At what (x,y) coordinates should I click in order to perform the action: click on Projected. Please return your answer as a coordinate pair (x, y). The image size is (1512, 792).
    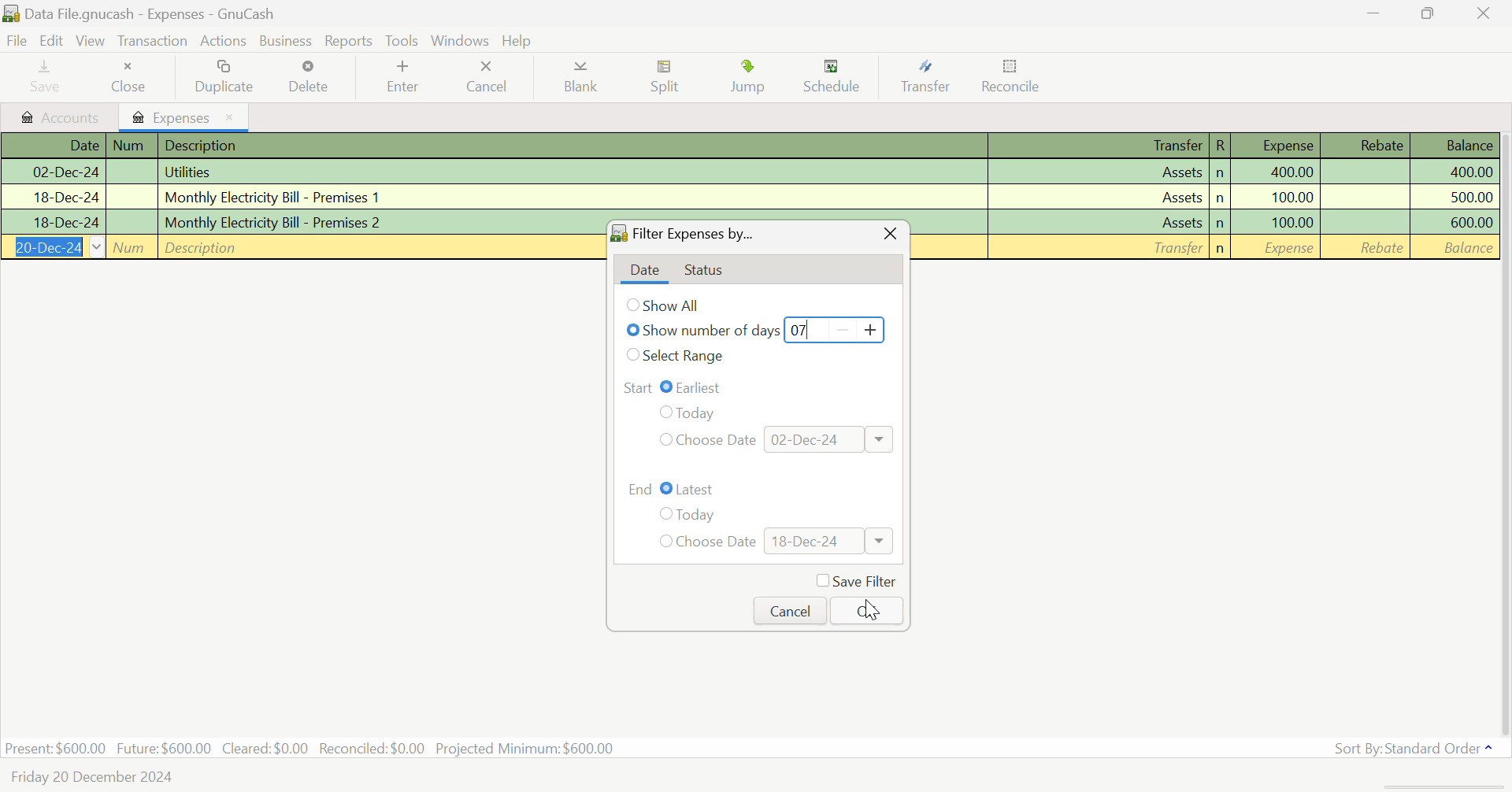
    Looking at the image, I should click on (524, 748).